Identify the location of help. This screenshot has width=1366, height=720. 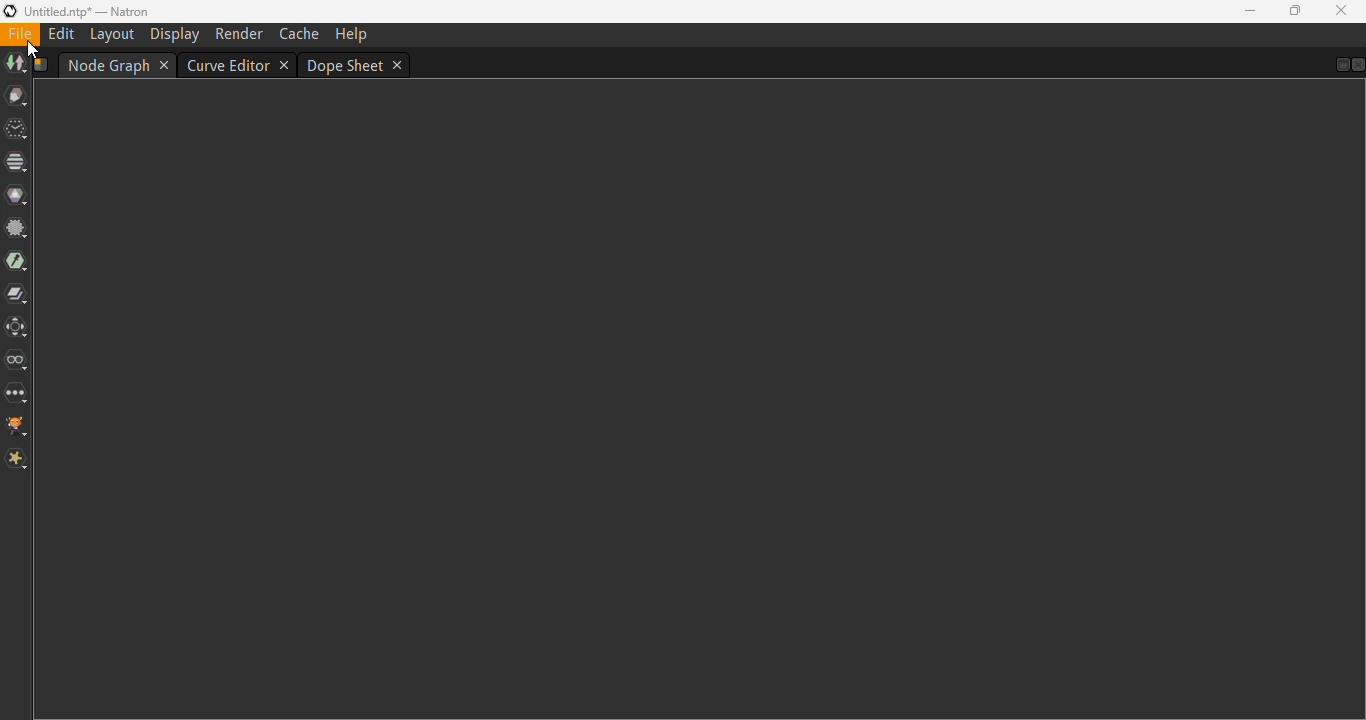
(352, 35).